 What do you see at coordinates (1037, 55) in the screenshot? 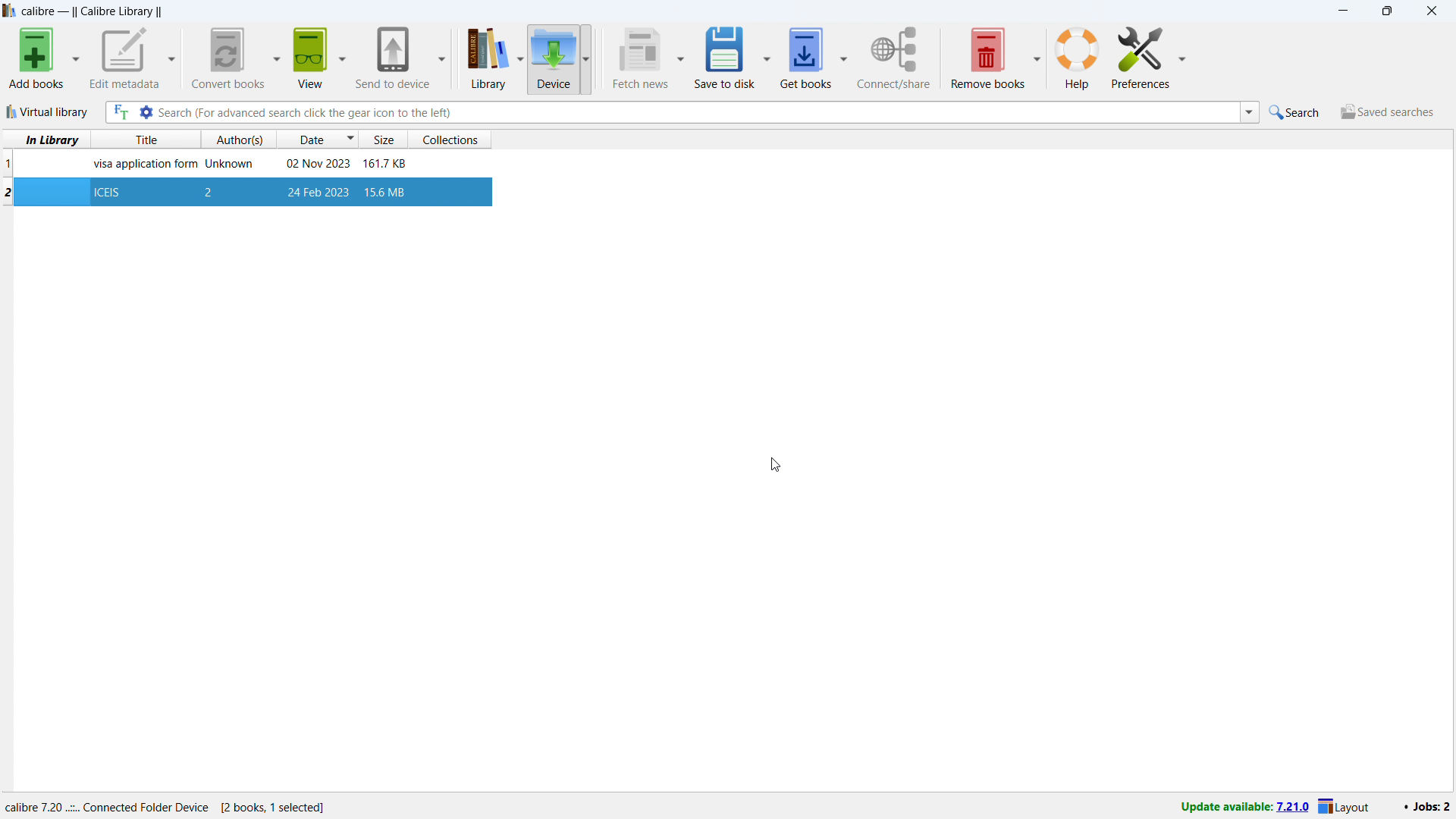
I see `remove books options` at bounding box center [1037, 55].